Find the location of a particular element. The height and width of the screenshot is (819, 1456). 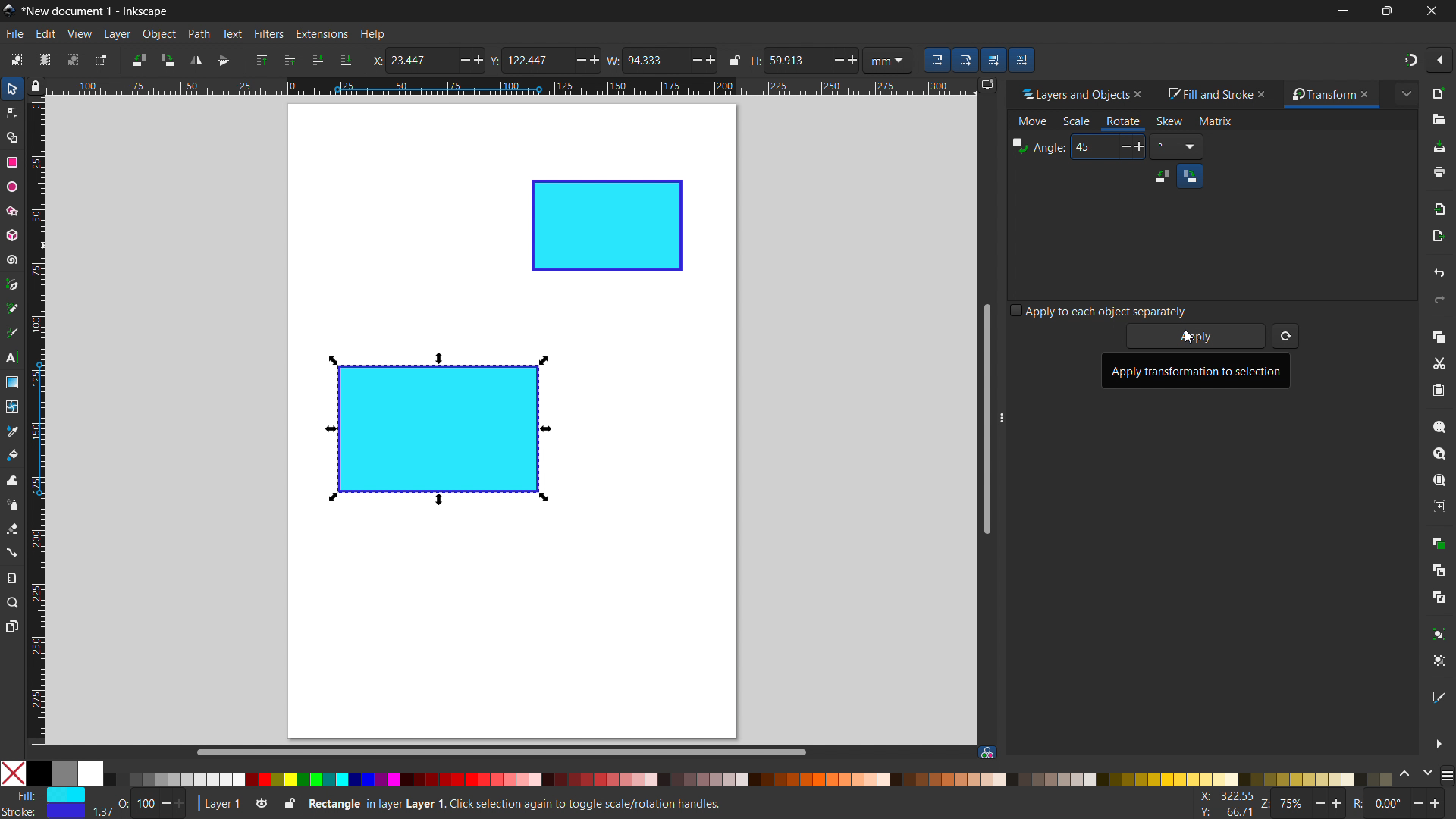

color palletes is located at coordinates (748, 779).